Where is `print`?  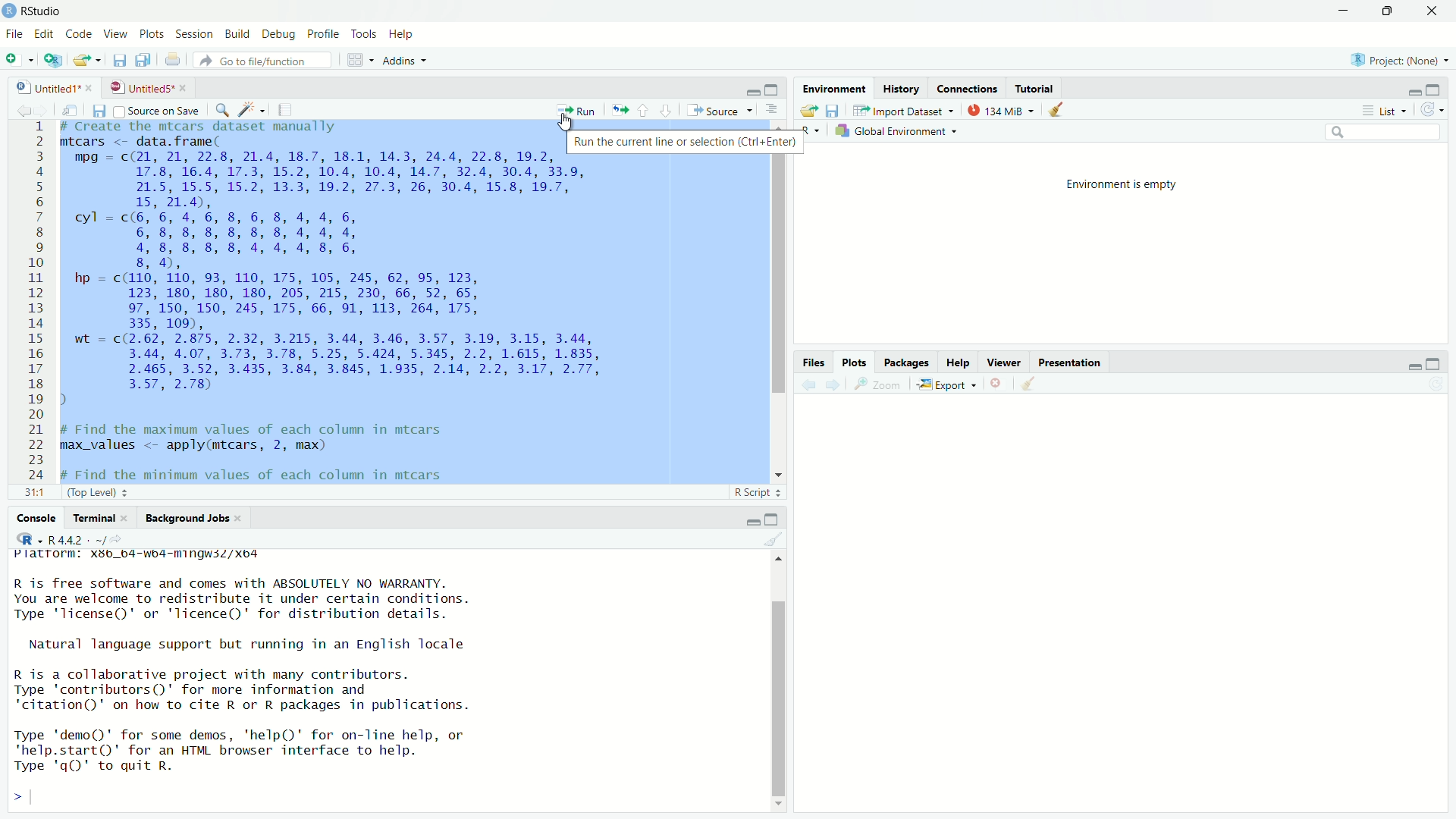 print is located at coordinates (172, 59).